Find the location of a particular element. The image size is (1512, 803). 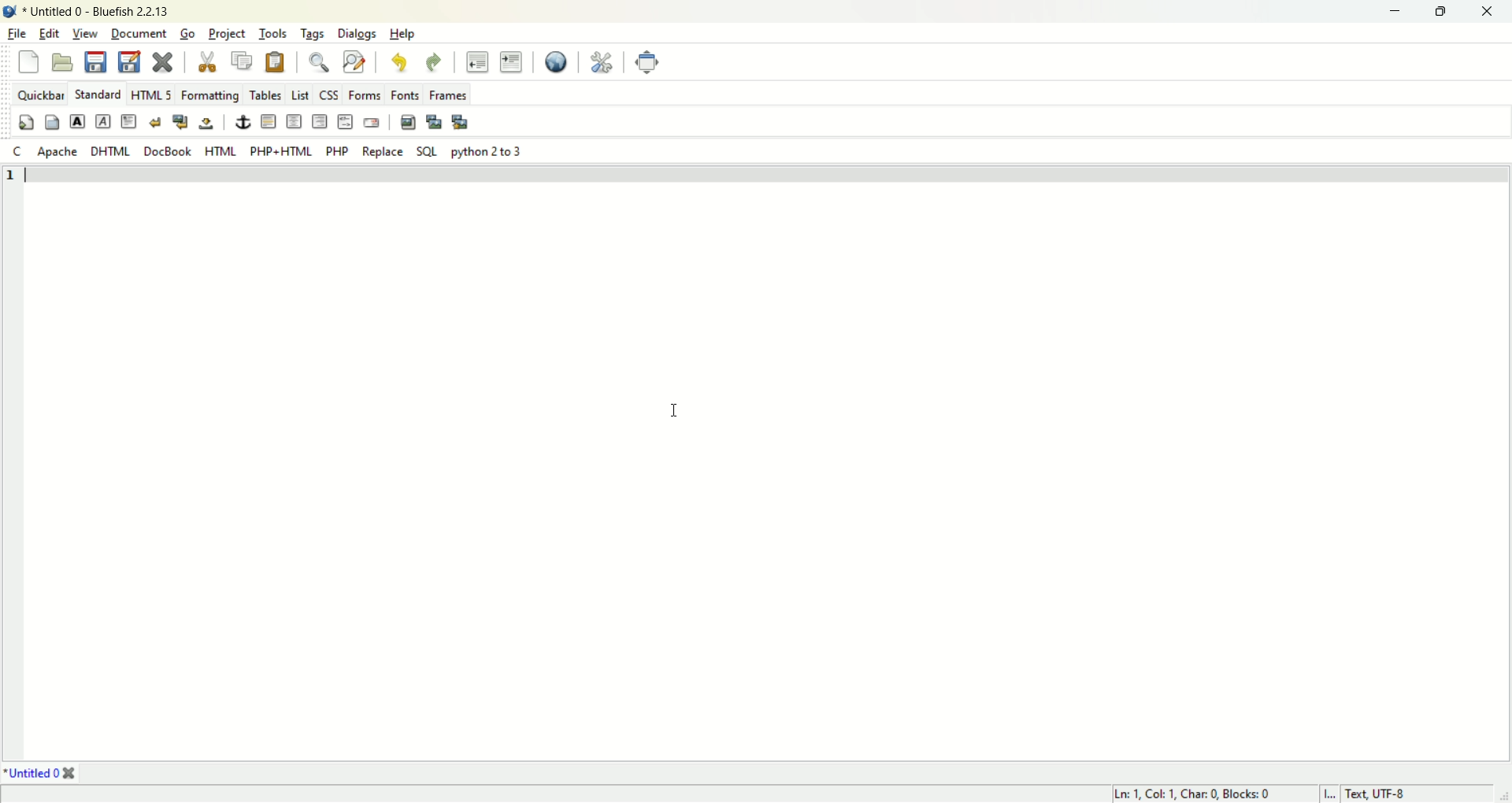

editor is located at coordinates (769, 463).